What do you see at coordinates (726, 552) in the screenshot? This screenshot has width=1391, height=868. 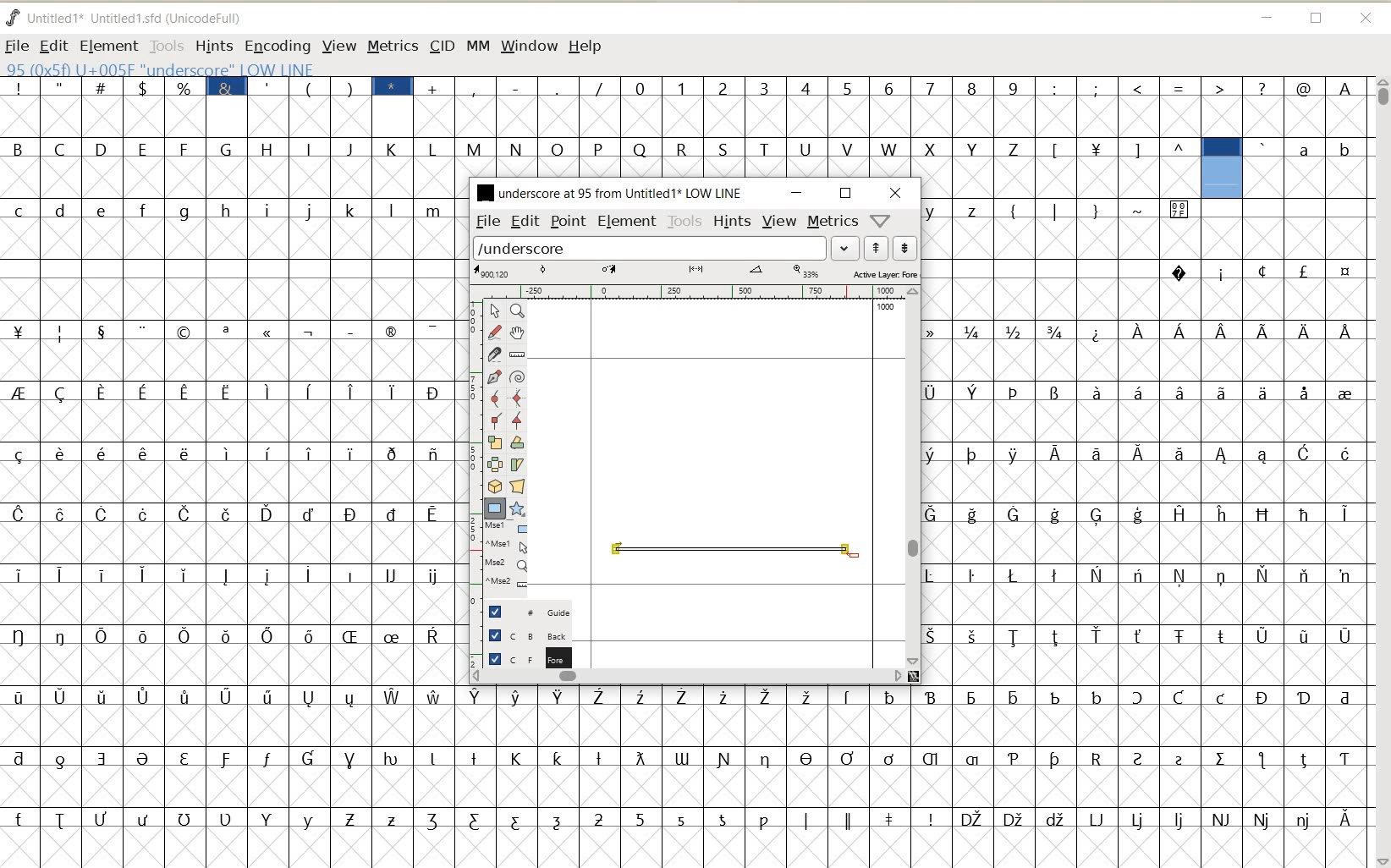 I see `an underscore with a unique twist creation` at bounding box center [726, 552].